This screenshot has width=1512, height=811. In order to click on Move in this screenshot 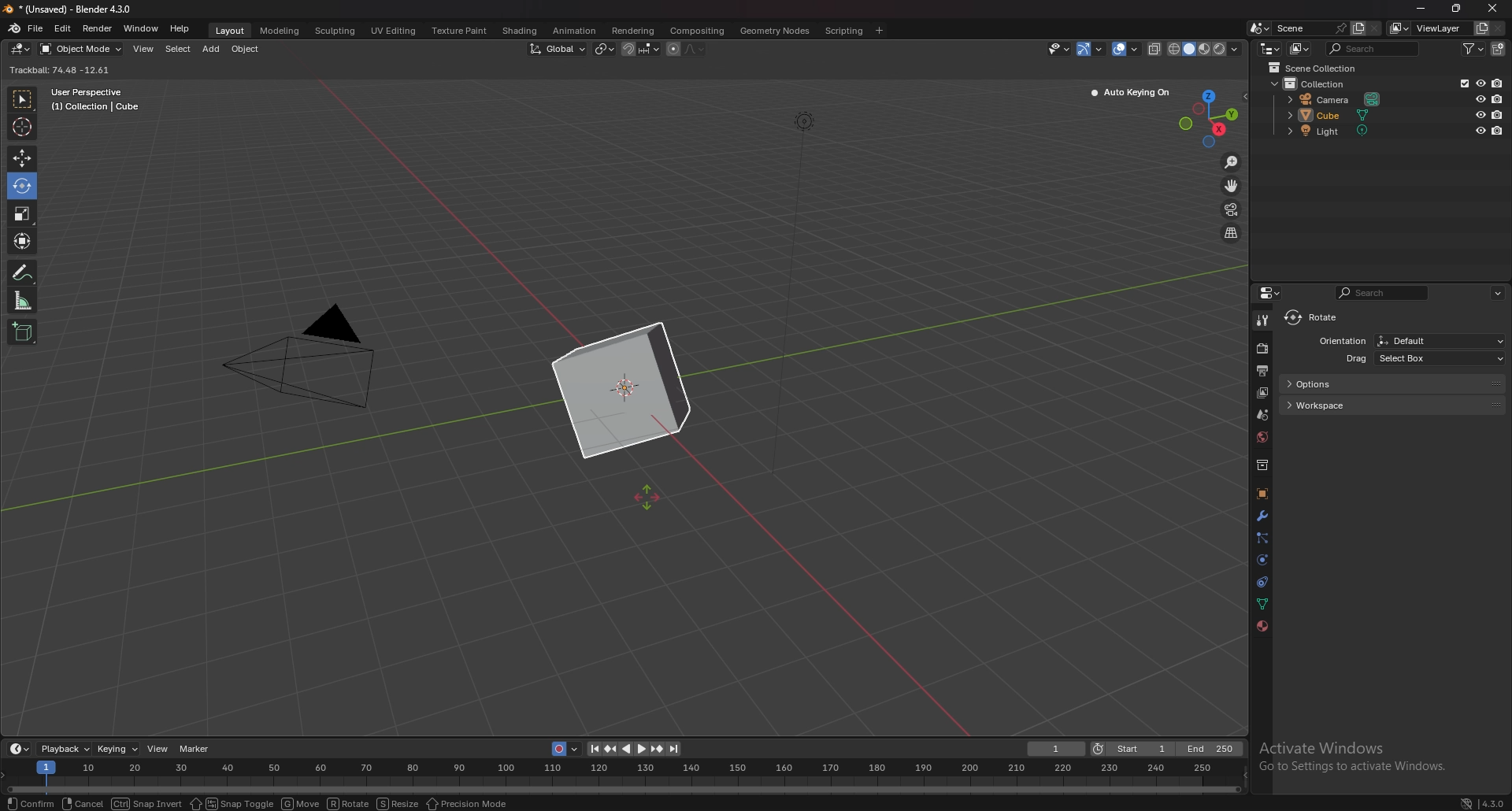, I will do `click(299, 803)`.